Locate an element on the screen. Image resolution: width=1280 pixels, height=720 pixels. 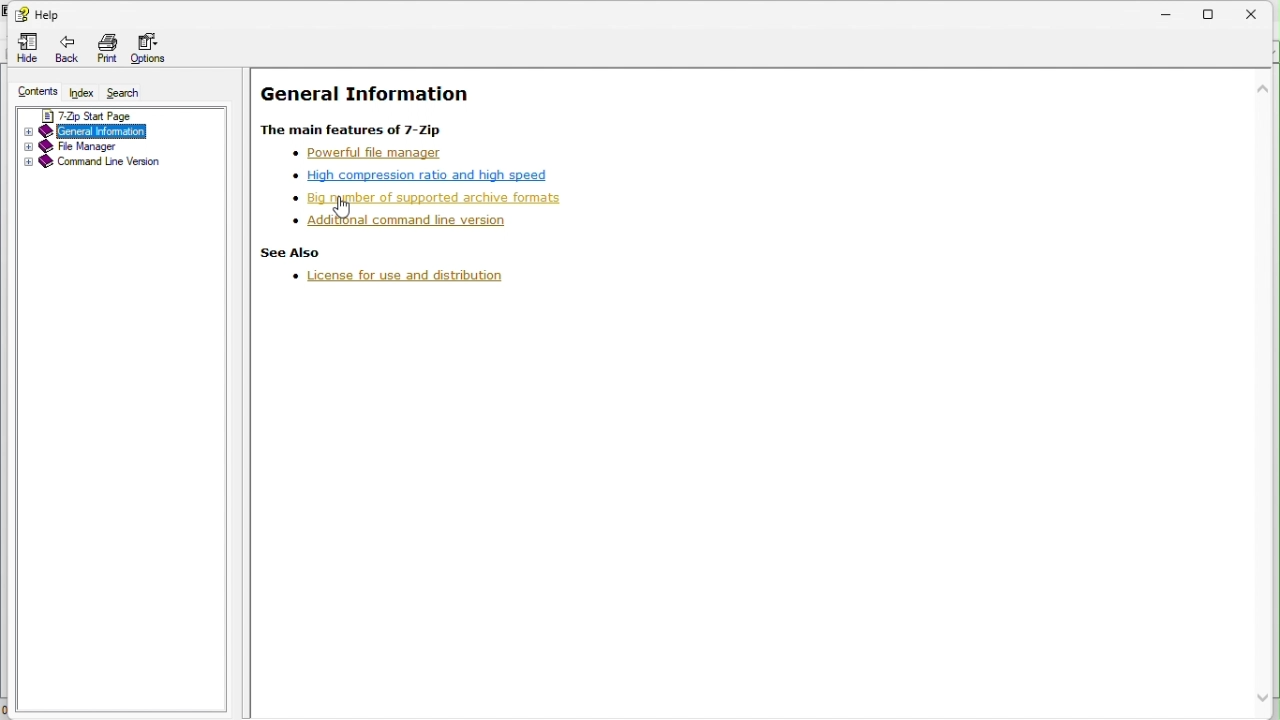
Index is located at coordinates (86, 92).